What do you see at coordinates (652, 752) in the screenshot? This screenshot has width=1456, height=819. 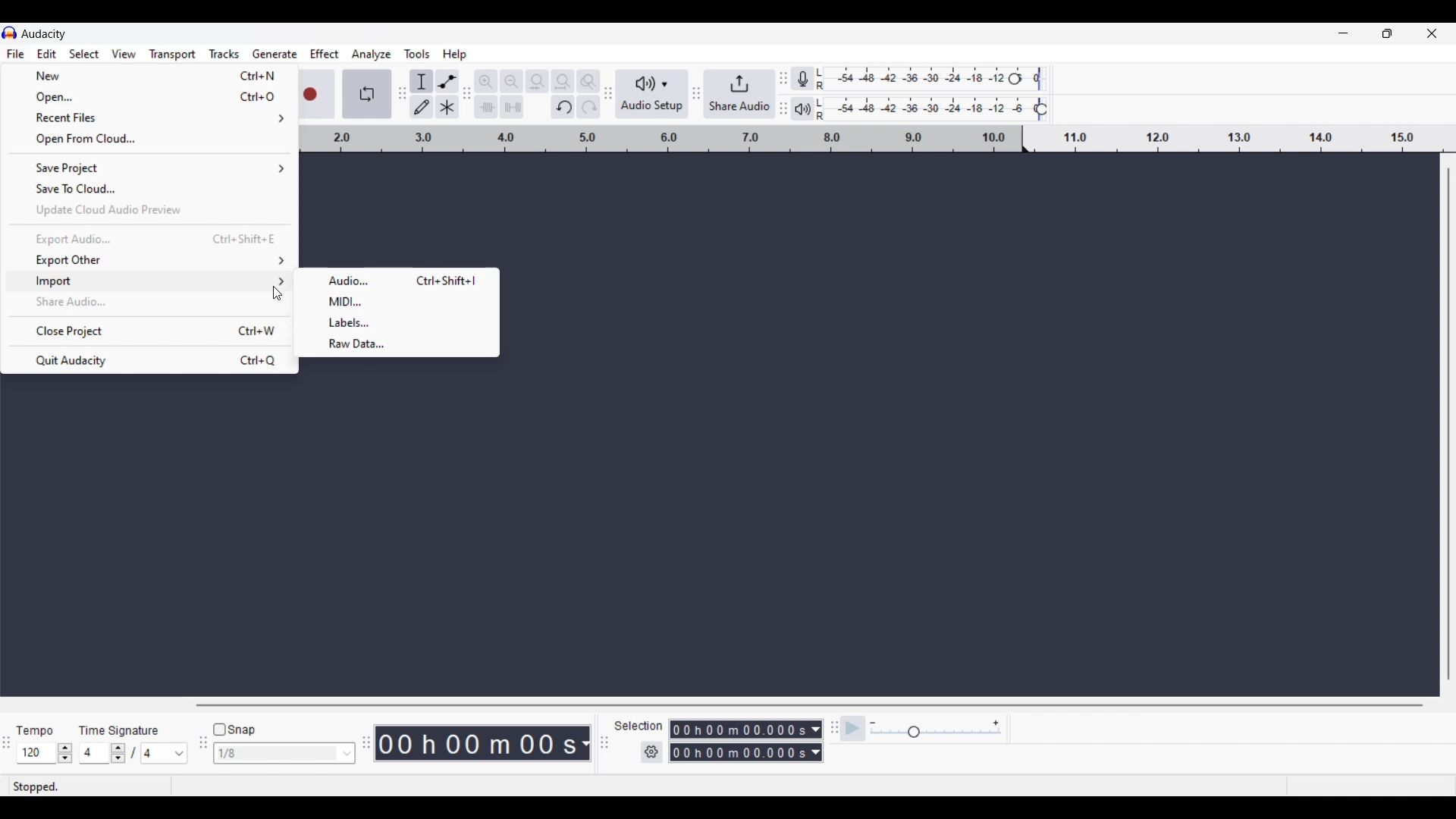 I see `Selection settings` at bounding box center [652, 752].